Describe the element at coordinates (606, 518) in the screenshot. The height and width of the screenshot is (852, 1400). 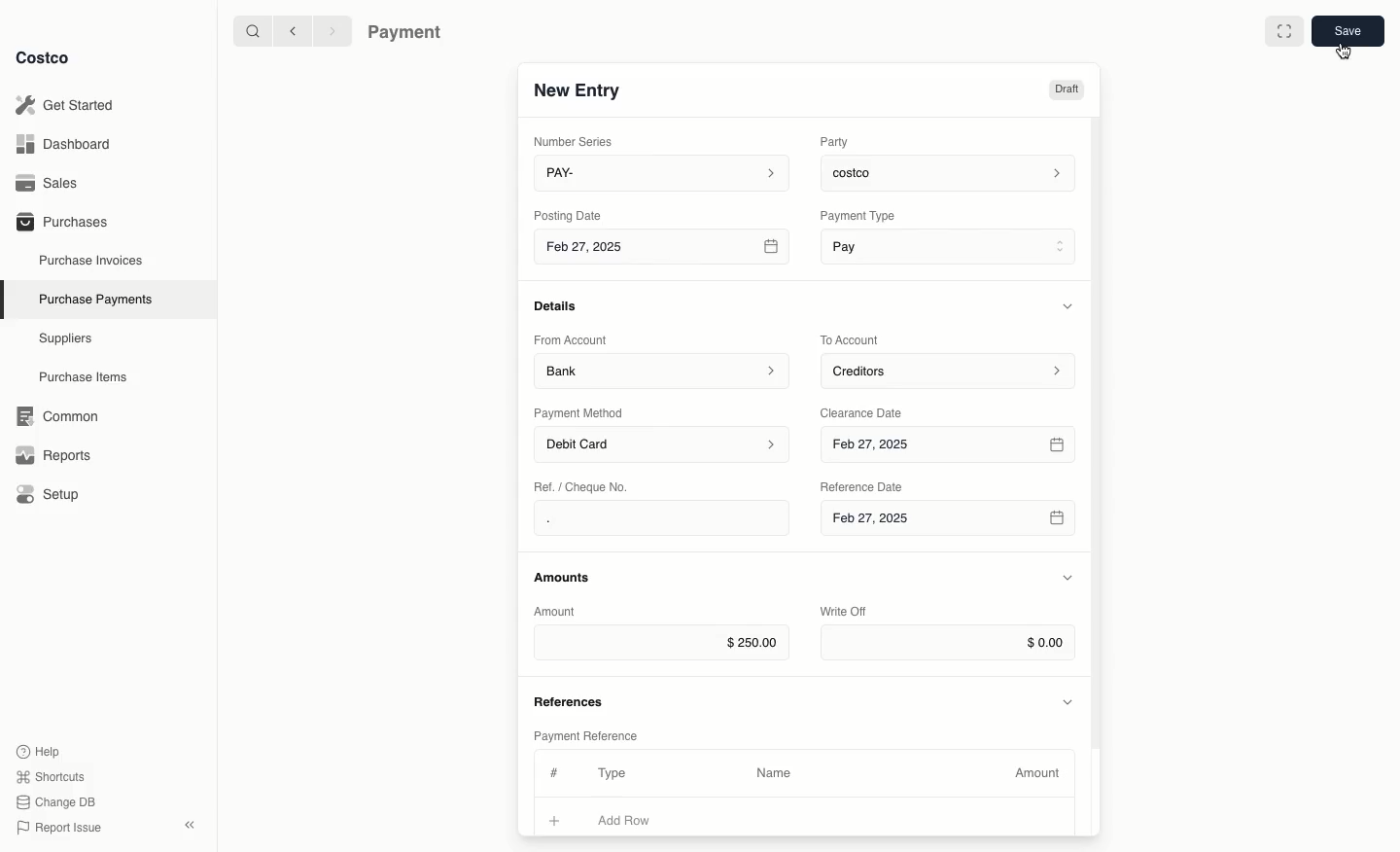
I see `.` at that location.